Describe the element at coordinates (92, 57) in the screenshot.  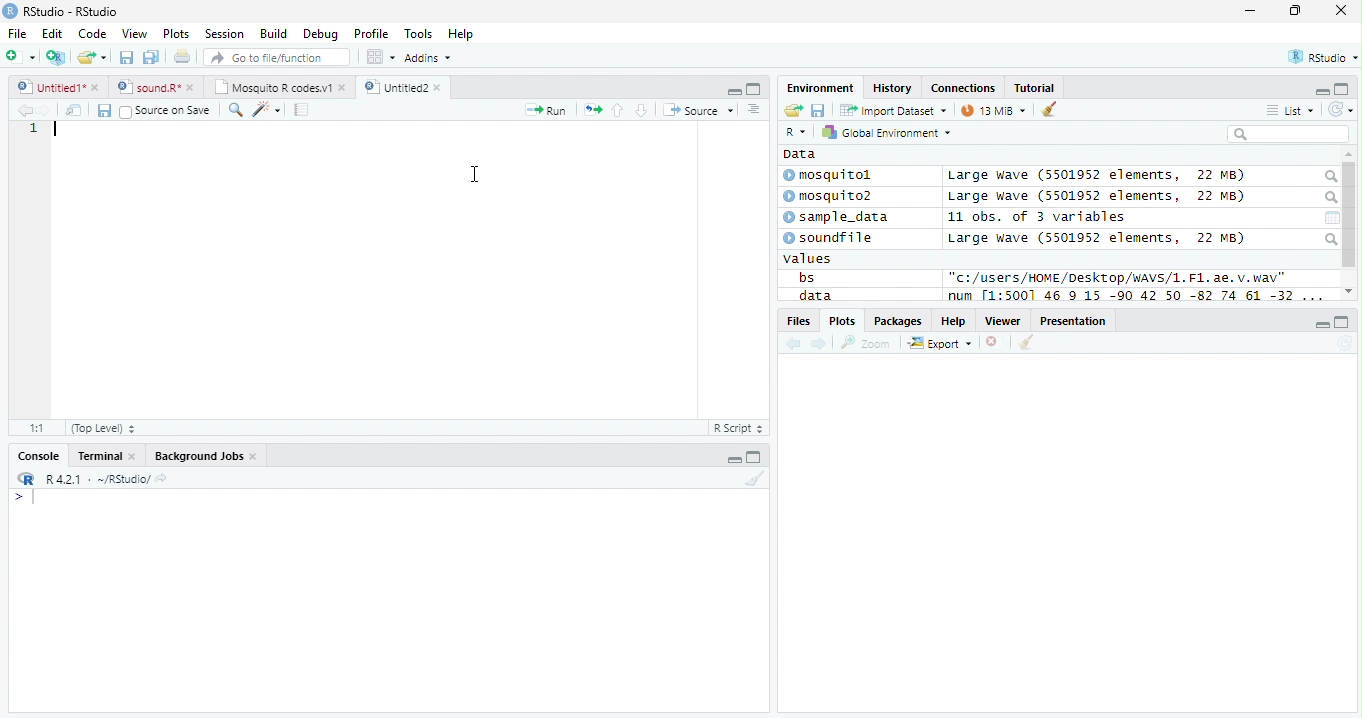
I see `open an existing file` at that location.